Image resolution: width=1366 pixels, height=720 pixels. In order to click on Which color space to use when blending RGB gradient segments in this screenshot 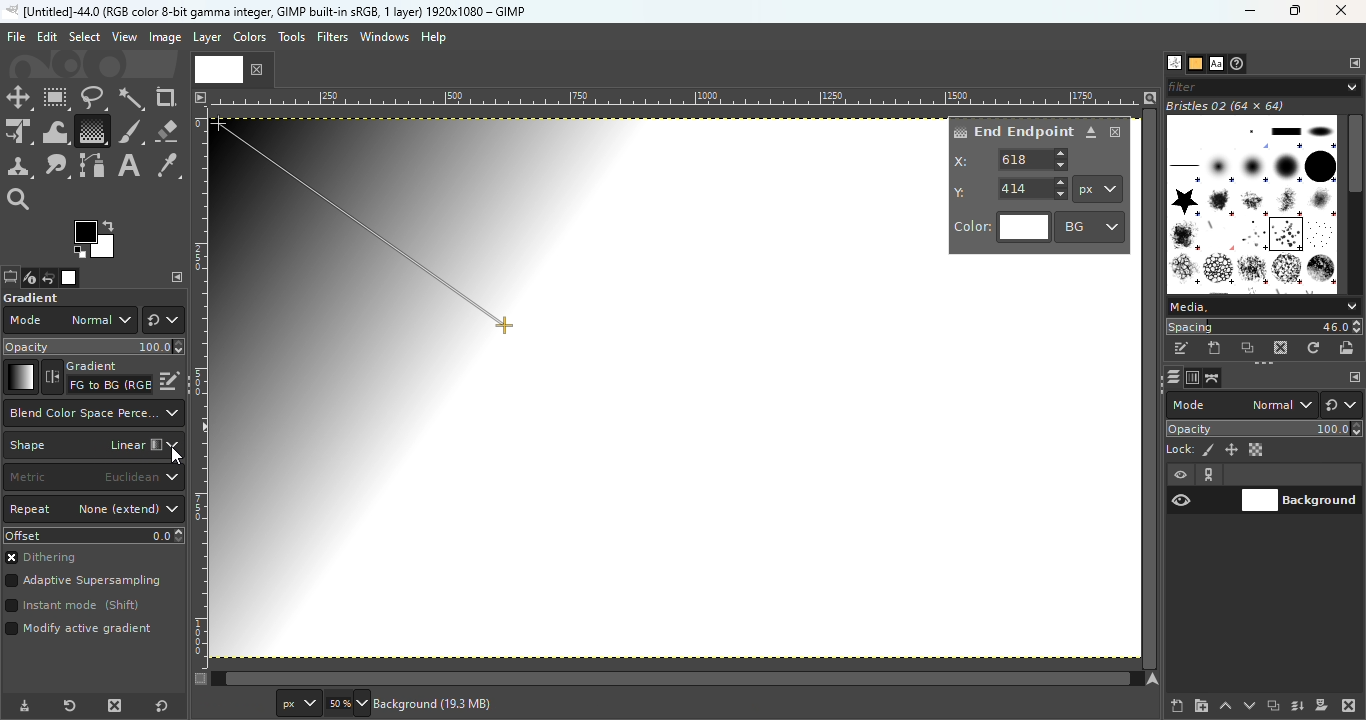, I will do `click(92, 413)`.